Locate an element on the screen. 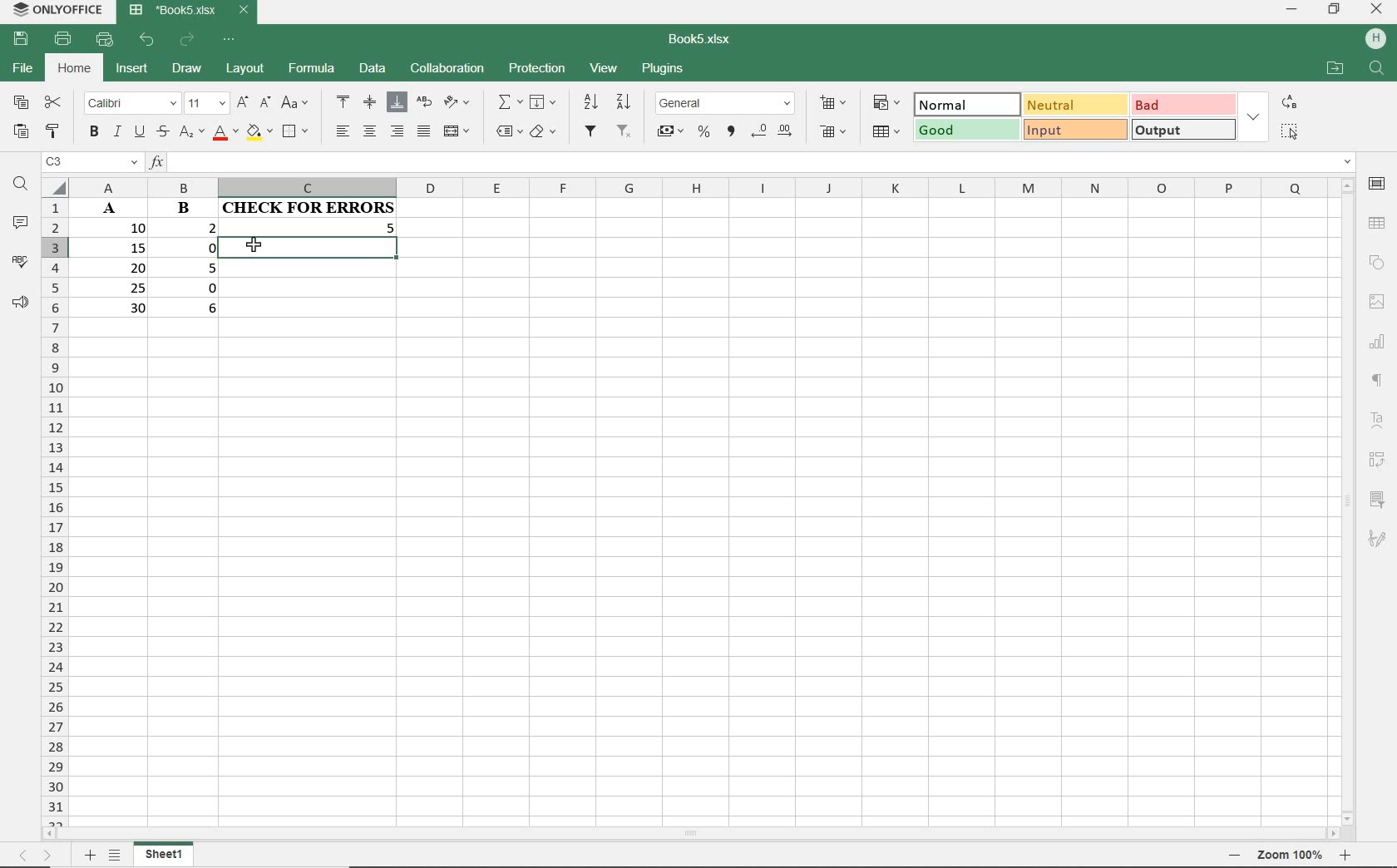  MOVE SHEETS is located at coordinates (37, 856).